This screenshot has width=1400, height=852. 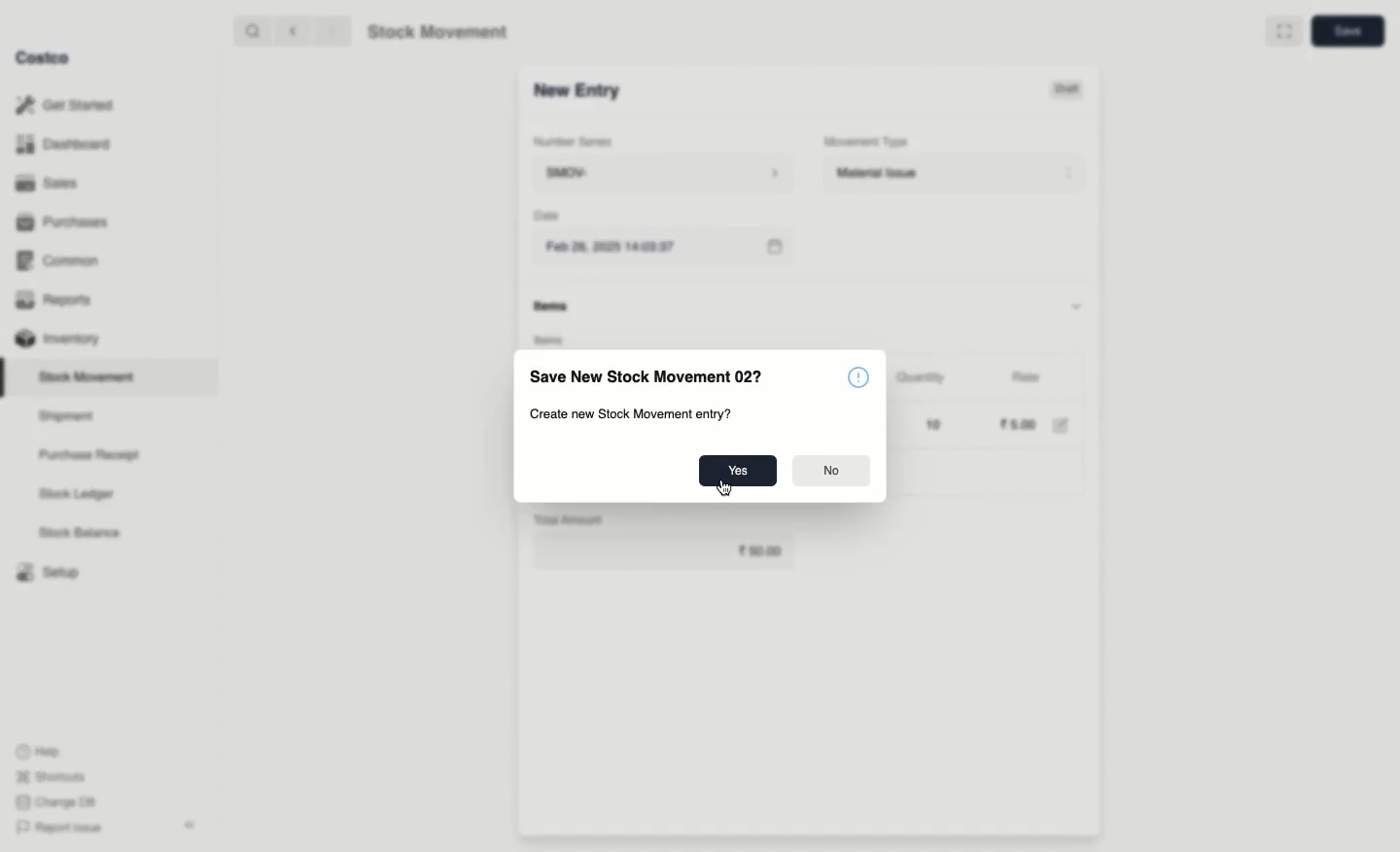 I want to click on collapse, so click(x=189, y=824).